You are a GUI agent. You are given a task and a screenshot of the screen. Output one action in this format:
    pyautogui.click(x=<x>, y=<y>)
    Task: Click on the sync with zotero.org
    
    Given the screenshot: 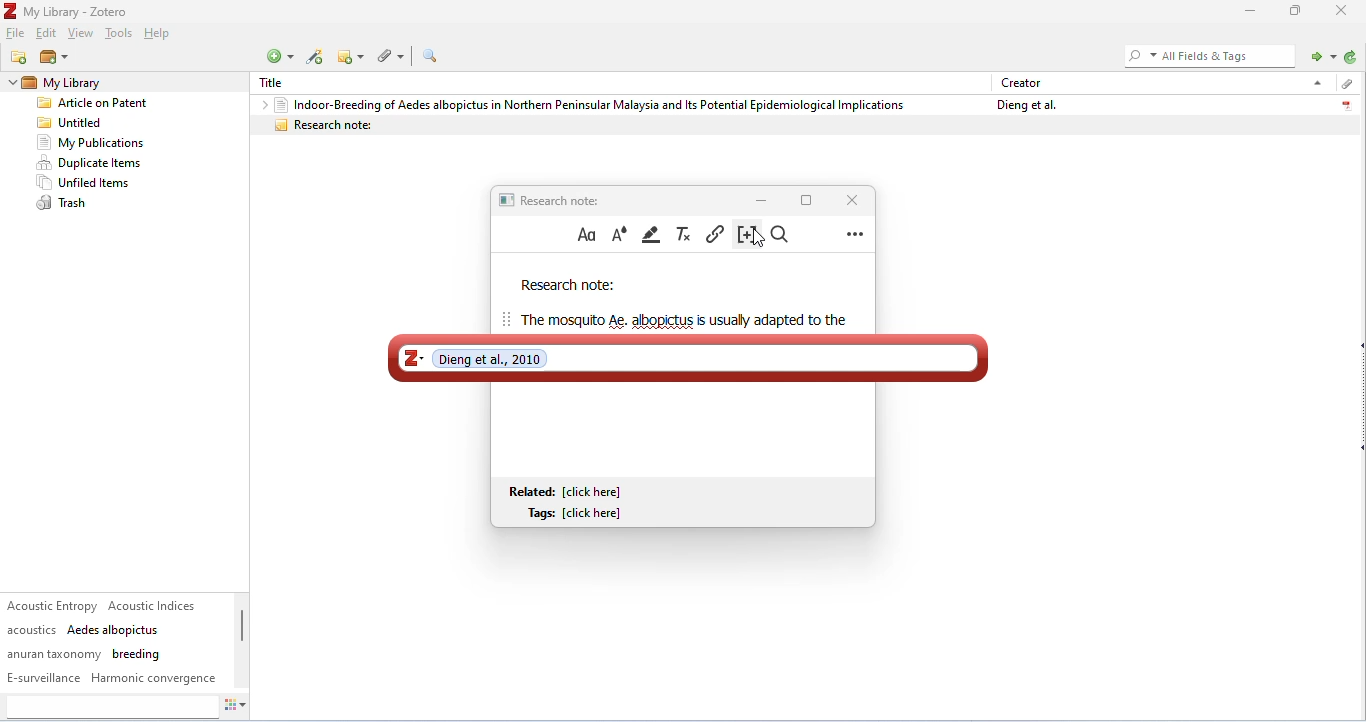 What is the action you would take?
    pyautogui.click(x=1351, y=57)
    